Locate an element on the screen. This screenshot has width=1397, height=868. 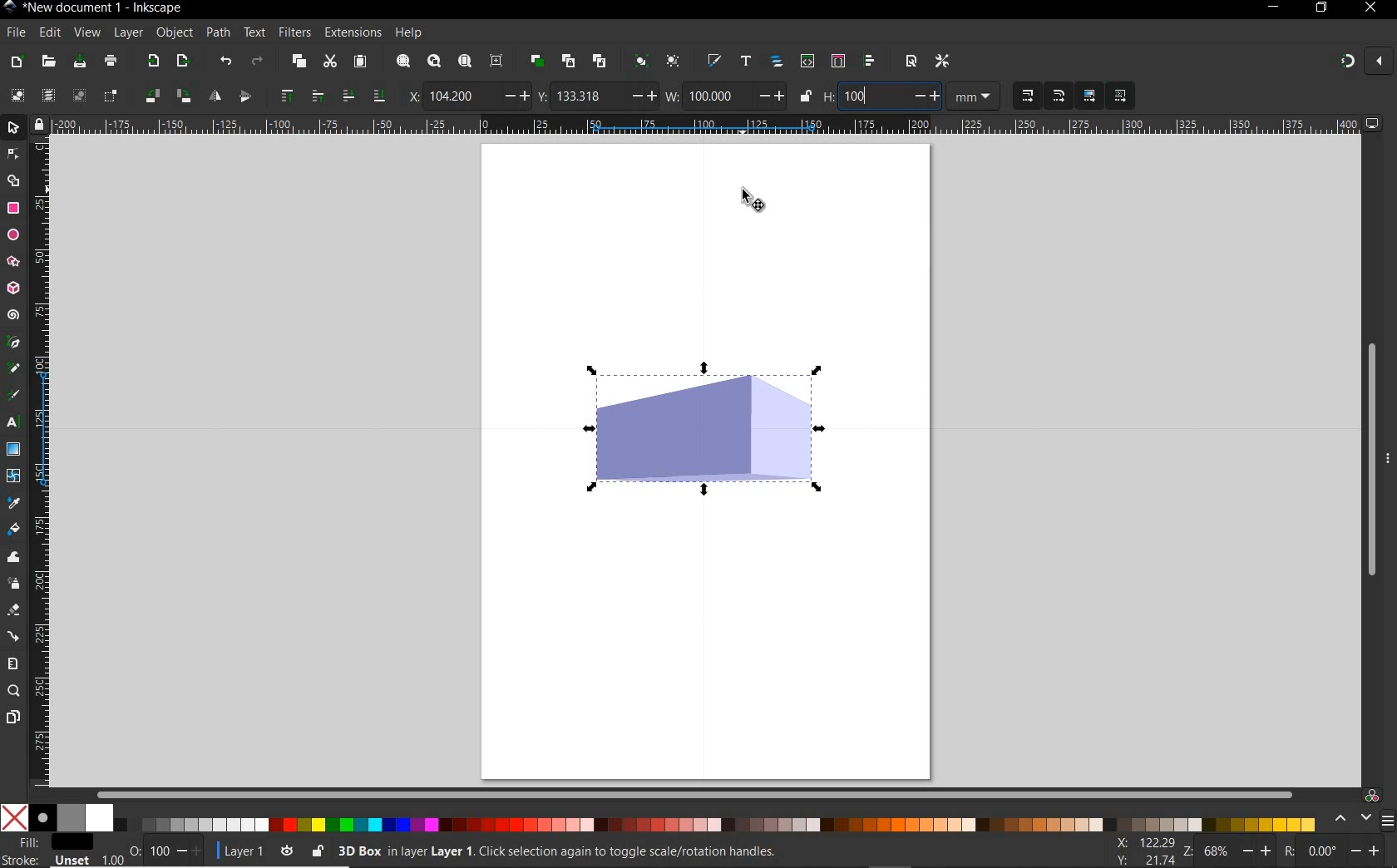
nothing selected is located at coordinates (134, 845).